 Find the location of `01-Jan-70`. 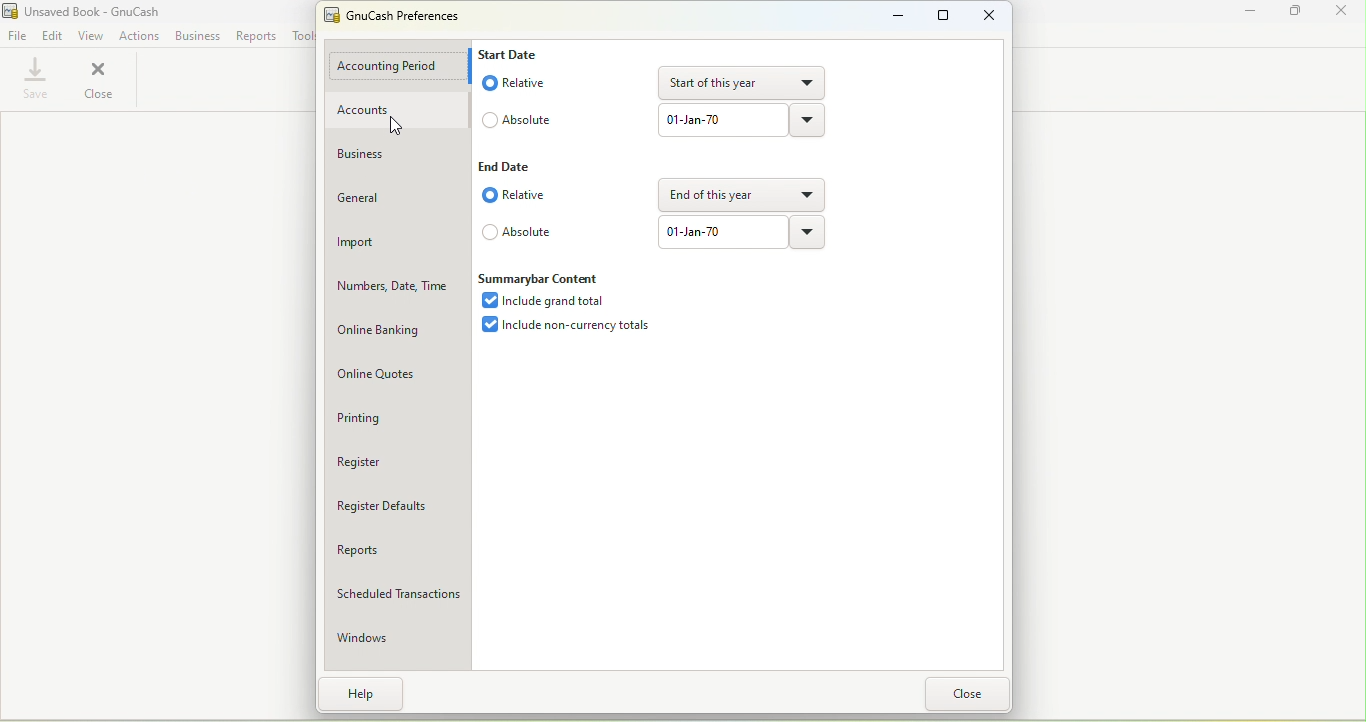

01-Jan-70 is located at coordinates (719, 119).